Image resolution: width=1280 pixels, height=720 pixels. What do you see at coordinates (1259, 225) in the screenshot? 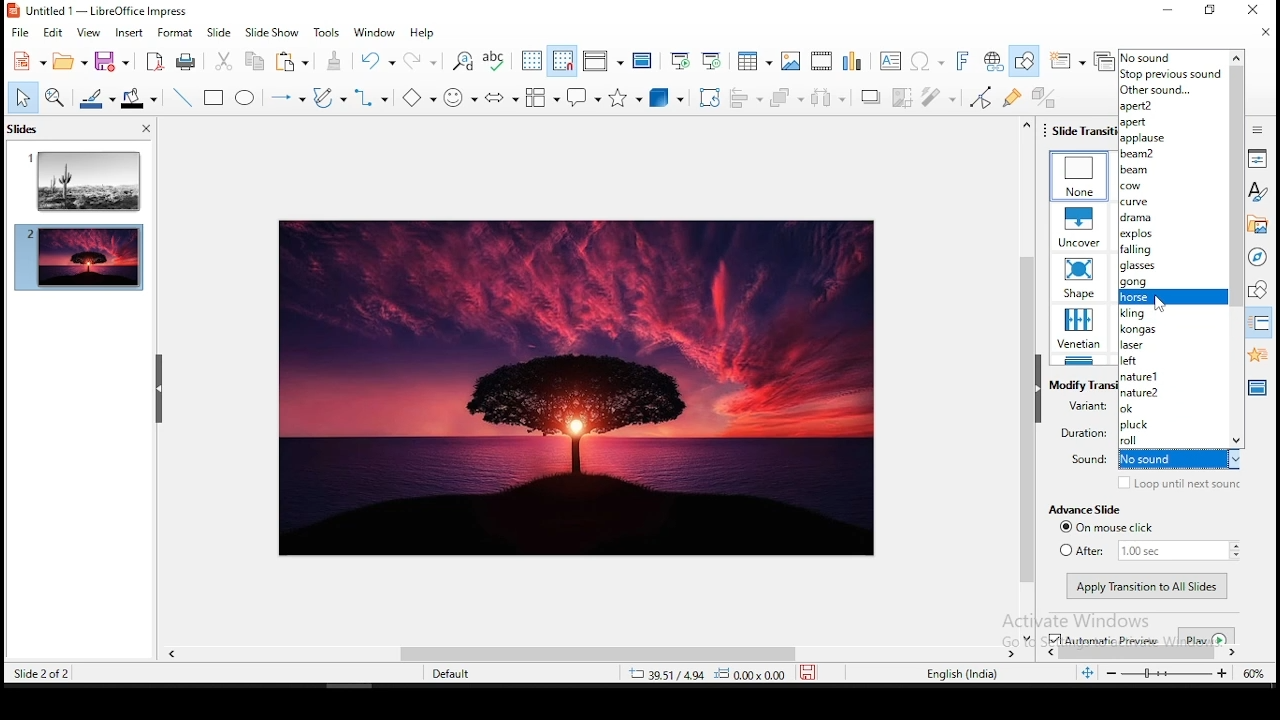
I see `gallery` at bounding box center [1259, 225].